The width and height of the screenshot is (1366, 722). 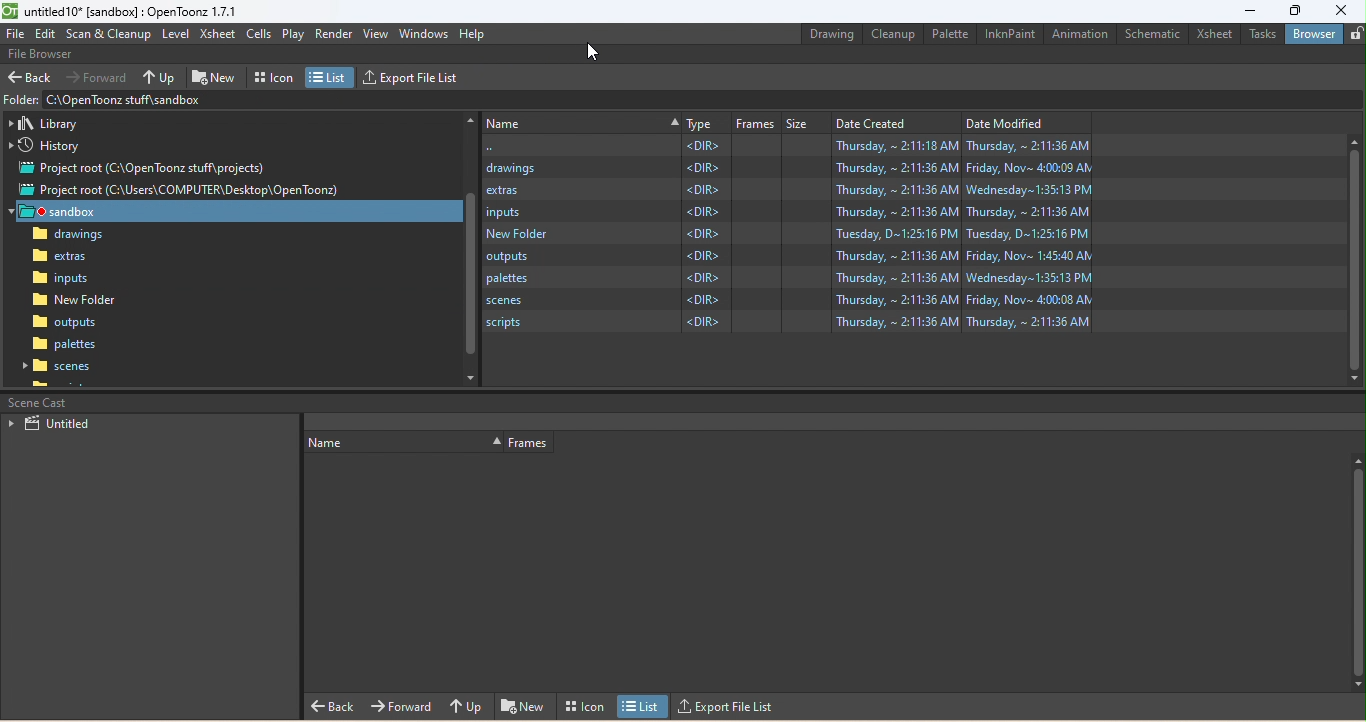 What do you see at coordinates (65, 258) in the screenshot?
I see `extras` at bounding box center [65, 258].